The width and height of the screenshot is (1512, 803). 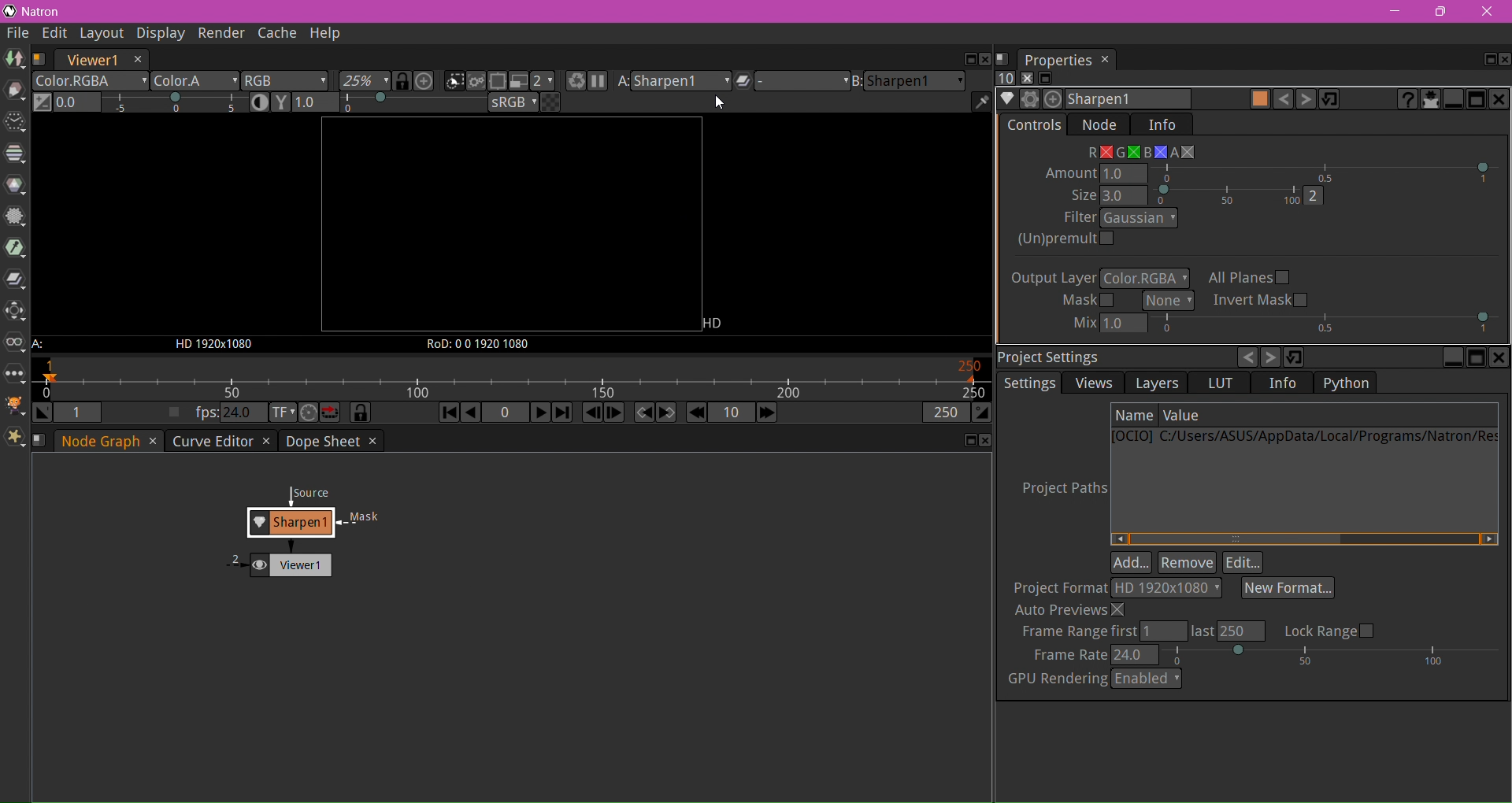 What do you see at coordinates (361, 413) in the screenshot?
I see `When activated, the timeline frame-range is synchronized with the Dope Sheet and the Curve Editor` at bounding box center [361, 413].